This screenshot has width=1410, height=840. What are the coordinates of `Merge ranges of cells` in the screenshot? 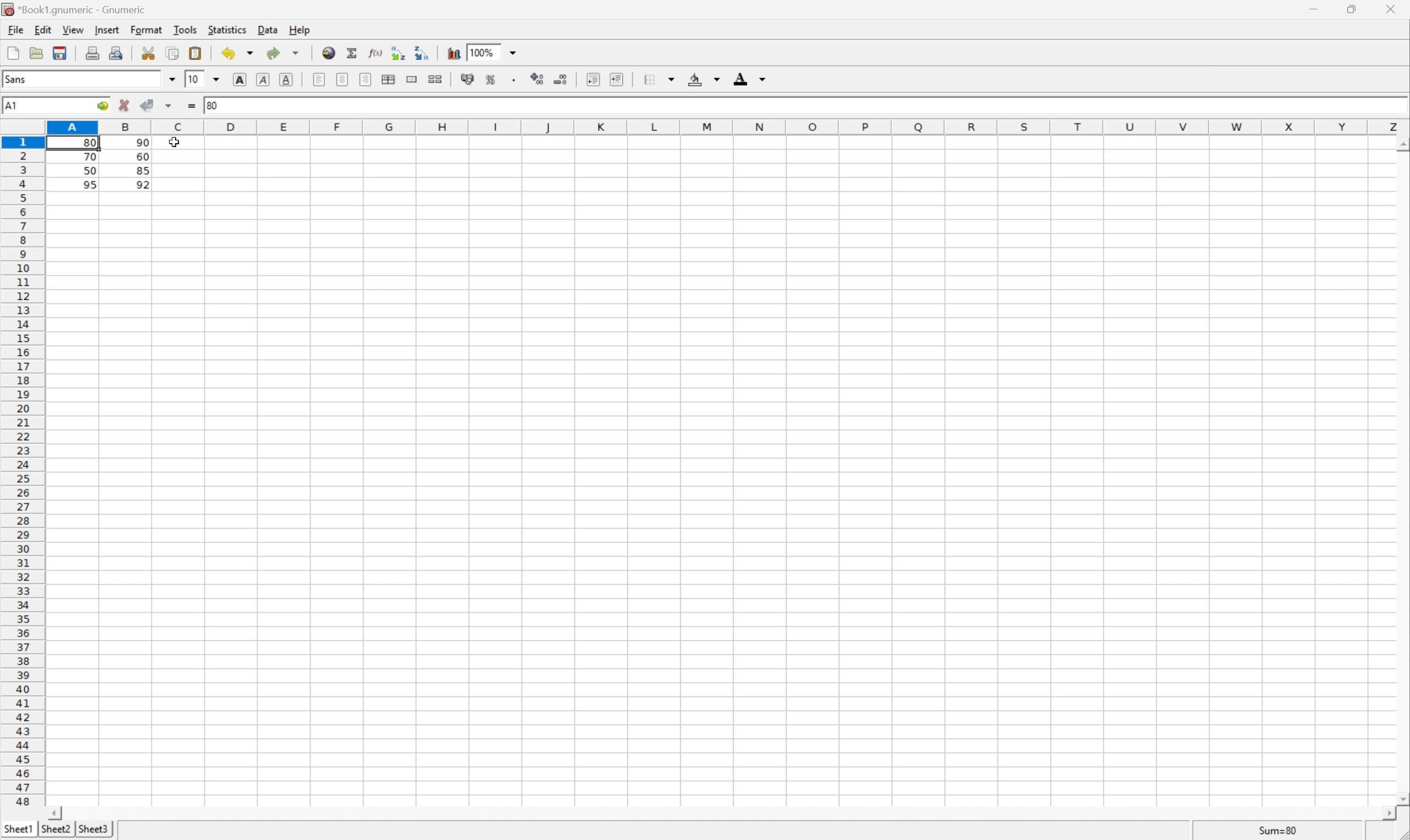 It's located at (413, 79).